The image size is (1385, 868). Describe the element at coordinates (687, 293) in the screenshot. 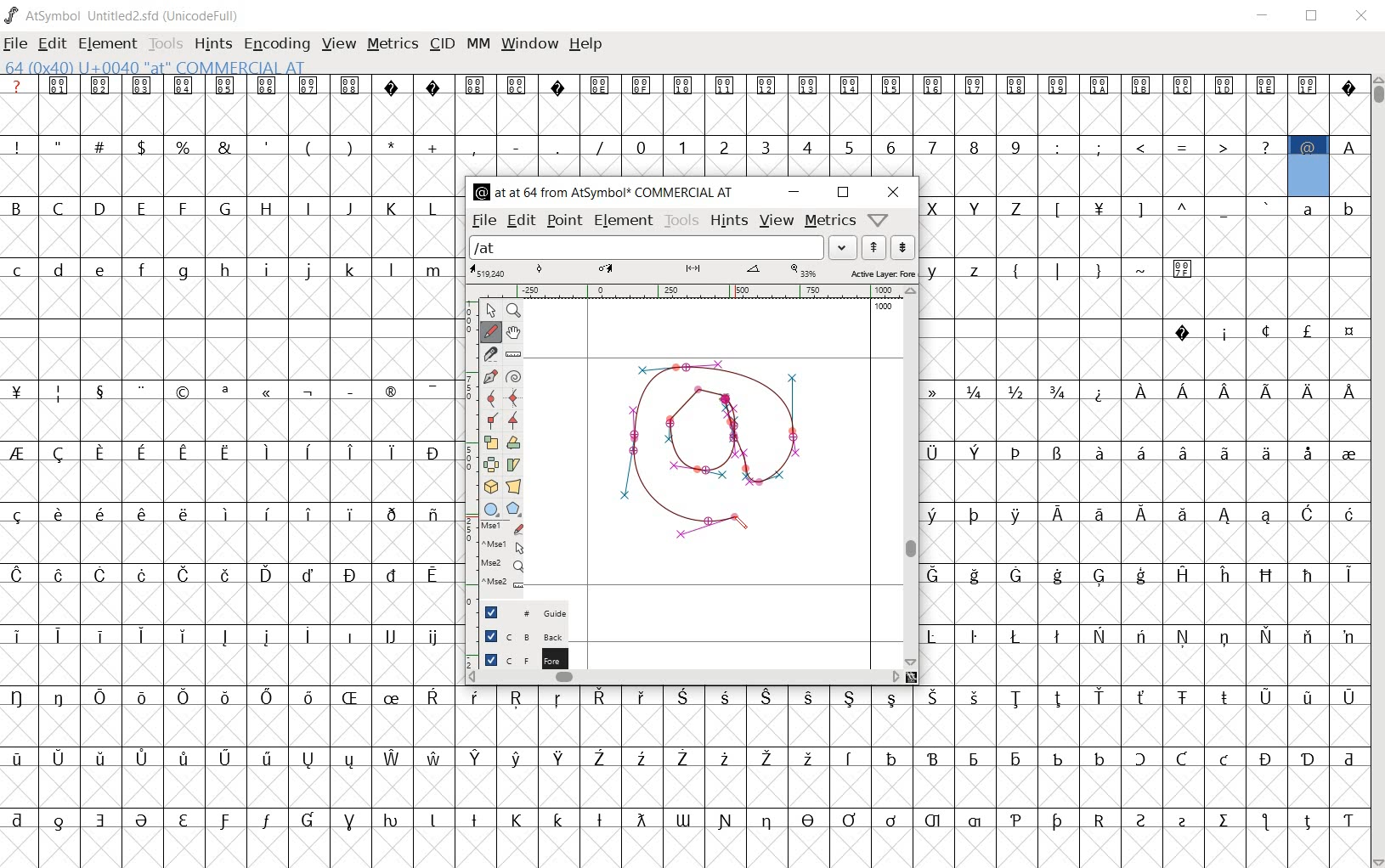

I see `ruler` at that location.